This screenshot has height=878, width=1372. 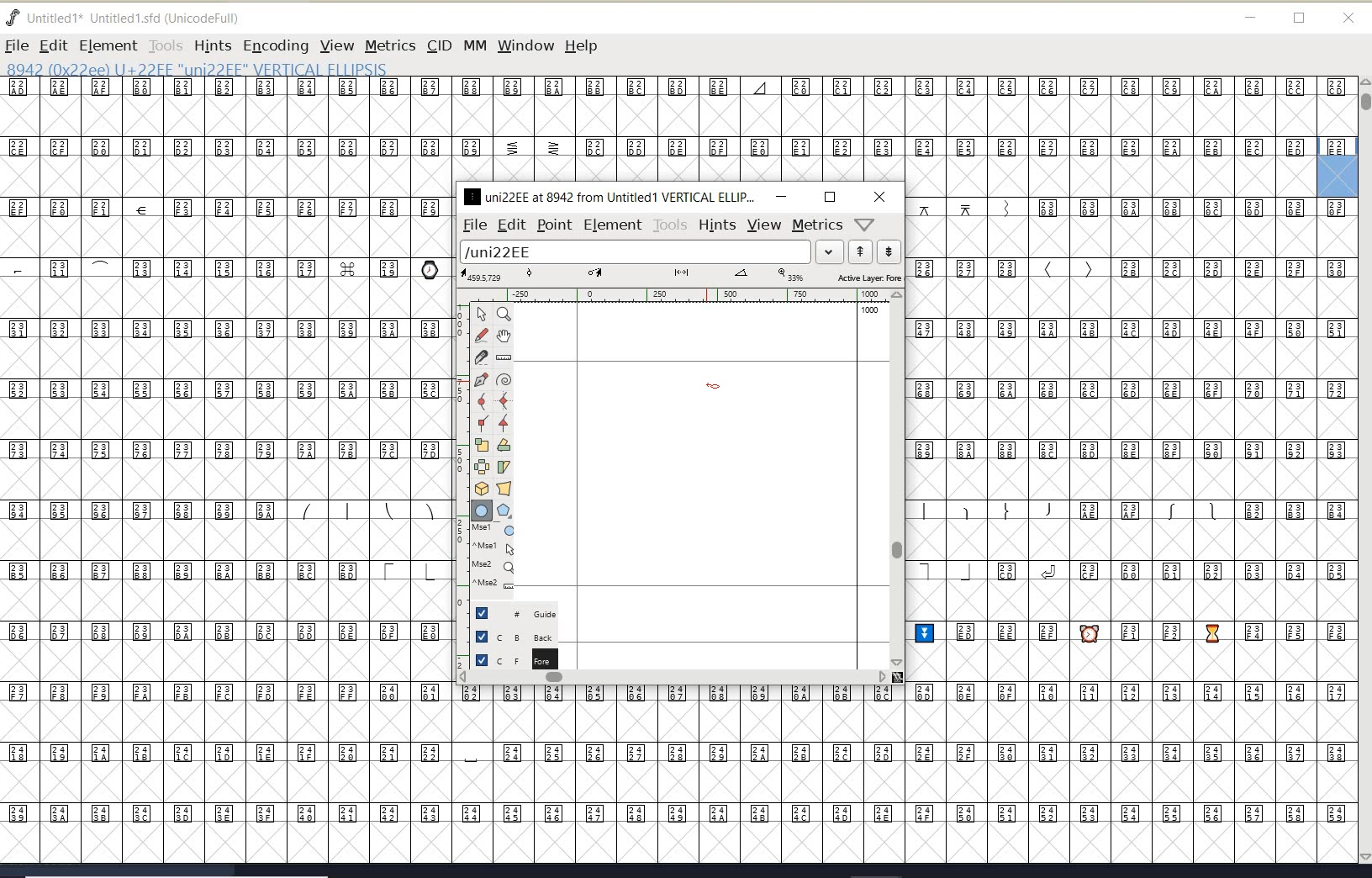 What do you see at coordinates (483, 335) in the screenshot?
I see `draw a freehand curve` at bounding box center [483, 335].